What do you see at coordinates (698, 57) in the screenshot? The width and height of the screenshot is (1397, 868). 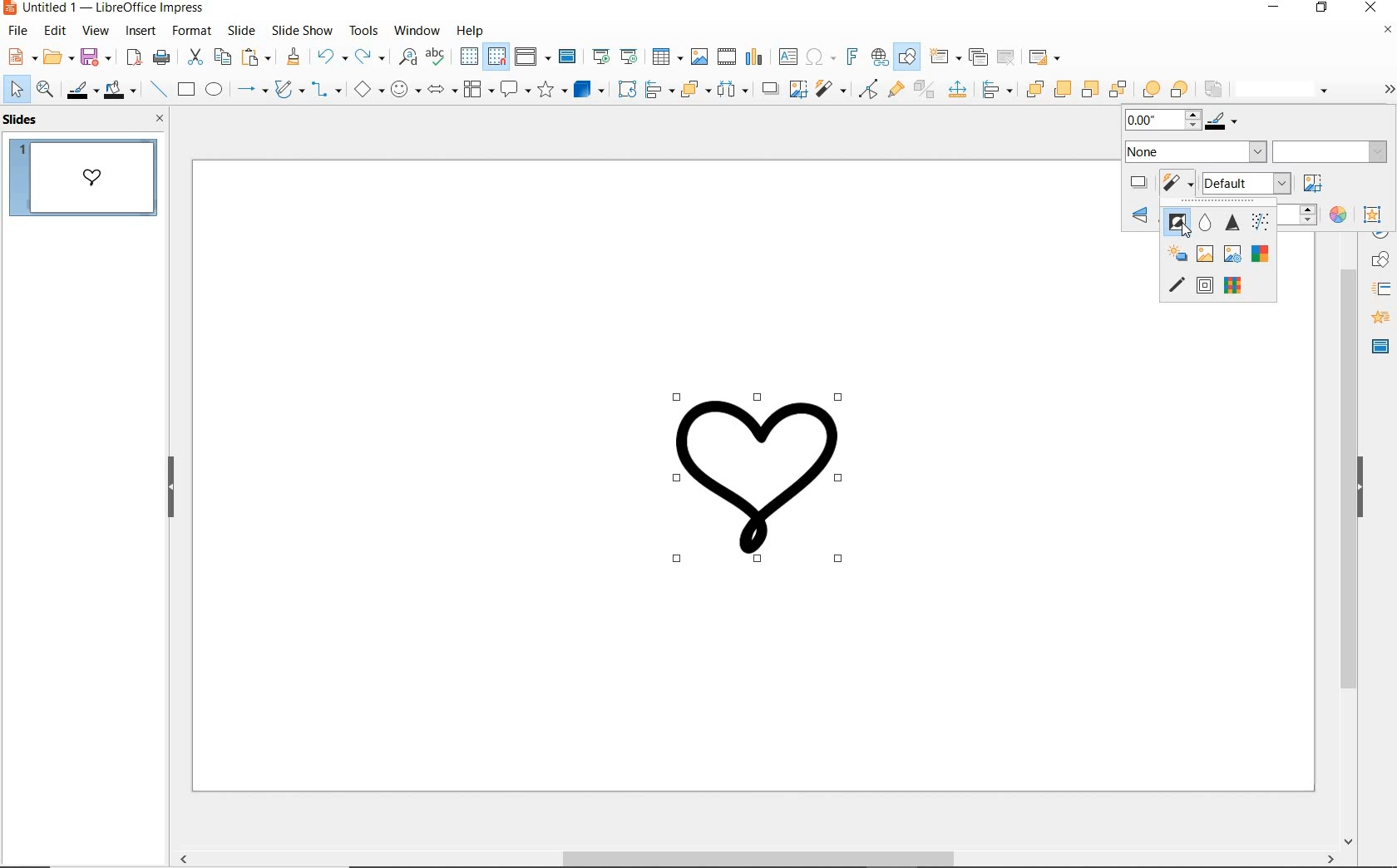 I see `insert image` at bounding box center [698, 57].